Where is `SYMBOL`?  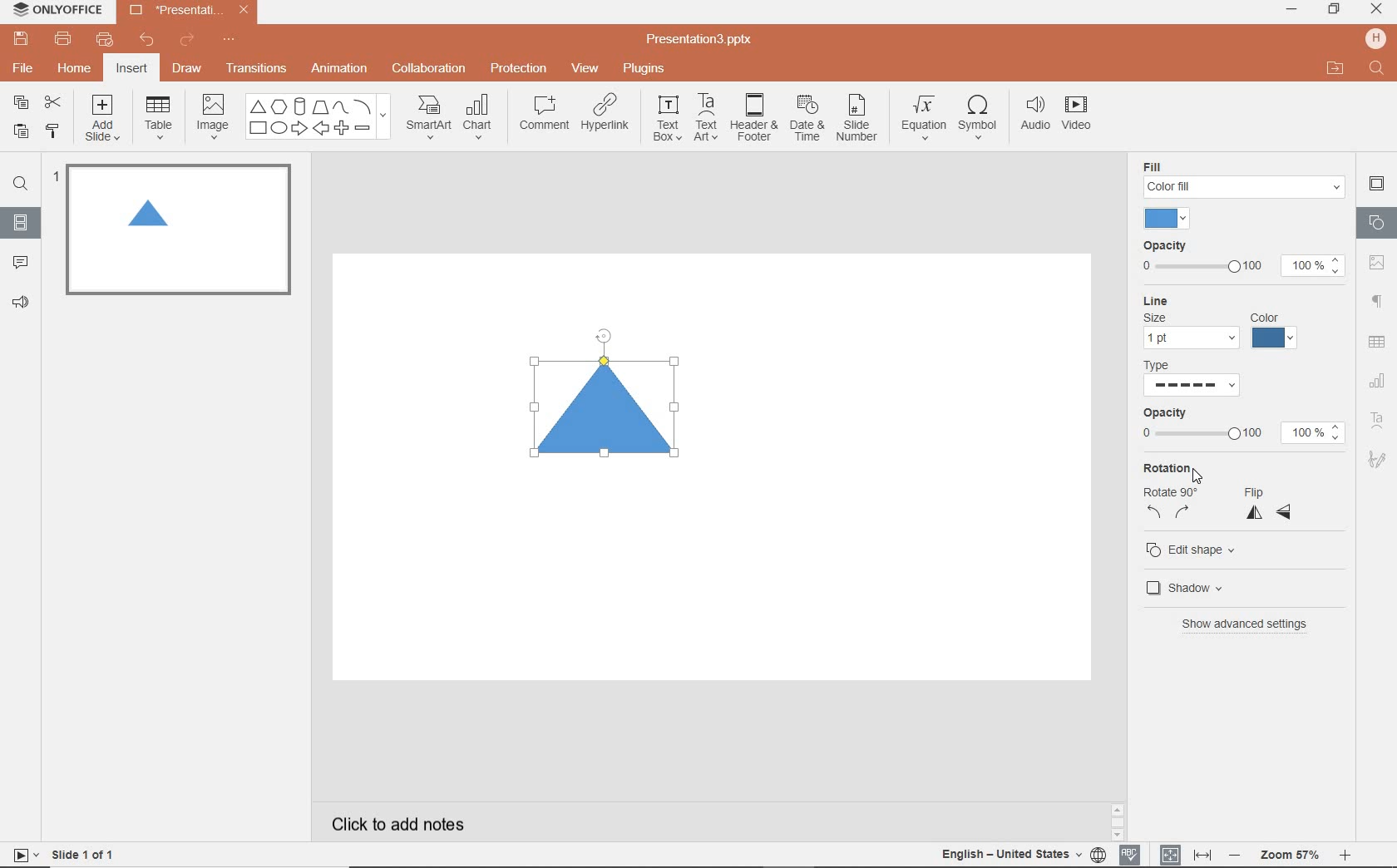
SYMBOL is located at coordinates (980, 114).